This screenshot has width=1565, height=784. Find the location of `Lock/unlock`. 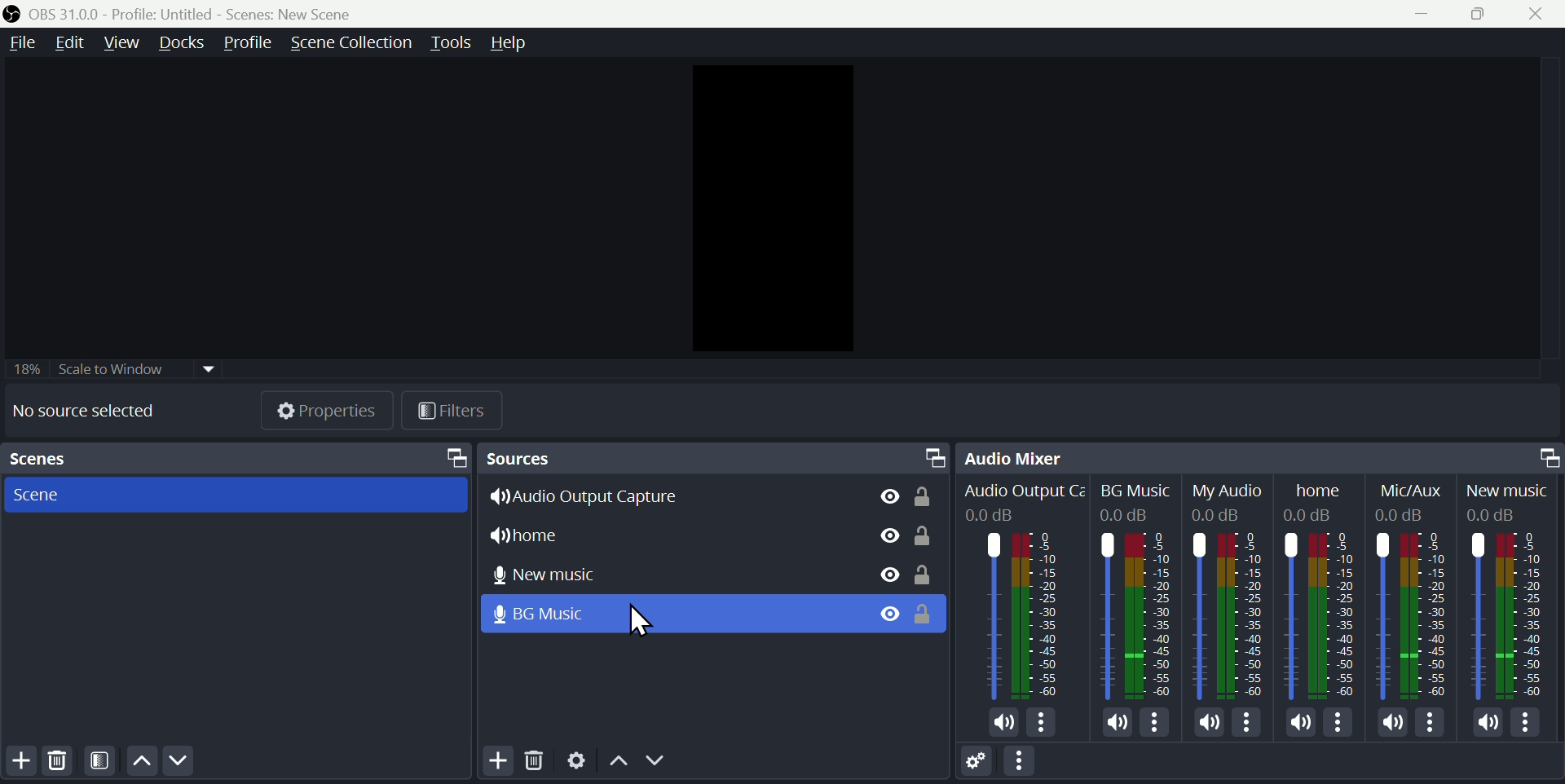

Lock/unlock is located at coordinates (924, 496).